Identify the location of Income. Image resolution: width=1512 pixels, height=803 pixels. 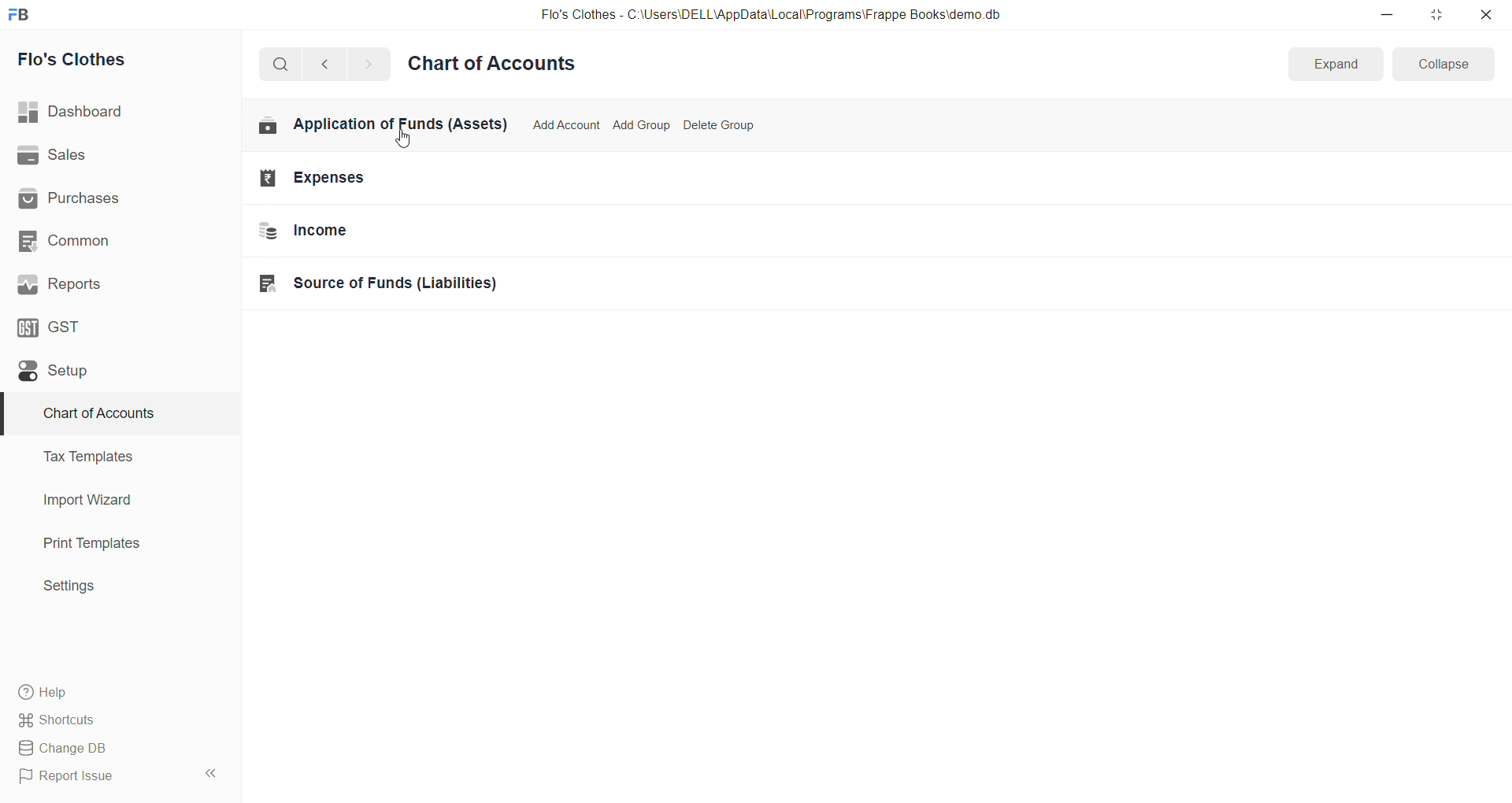
(382, 232).